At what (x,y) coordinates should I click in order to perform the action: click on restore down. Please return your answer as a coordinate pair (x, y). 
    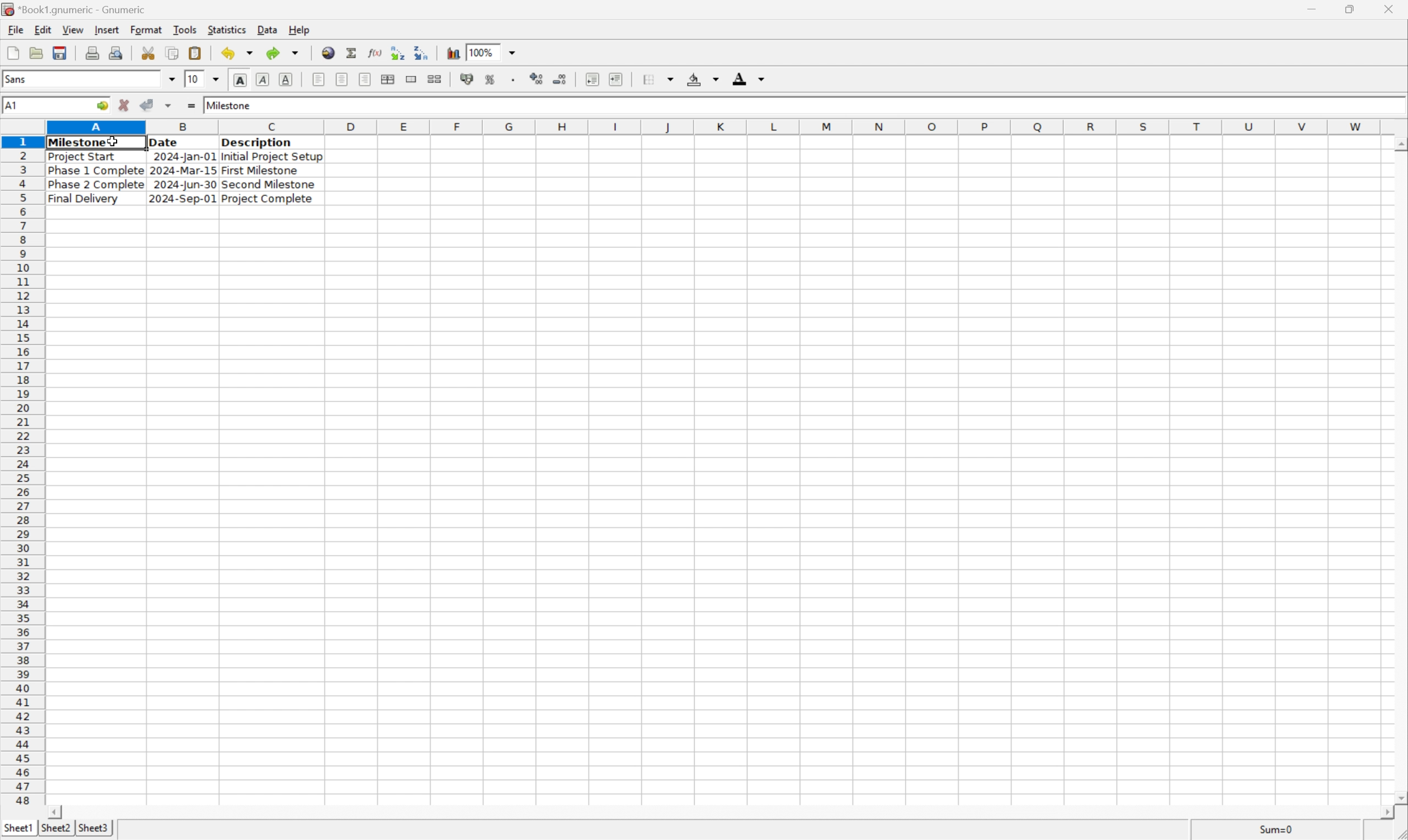
    Looking at the image, I should click on (1354, 9).